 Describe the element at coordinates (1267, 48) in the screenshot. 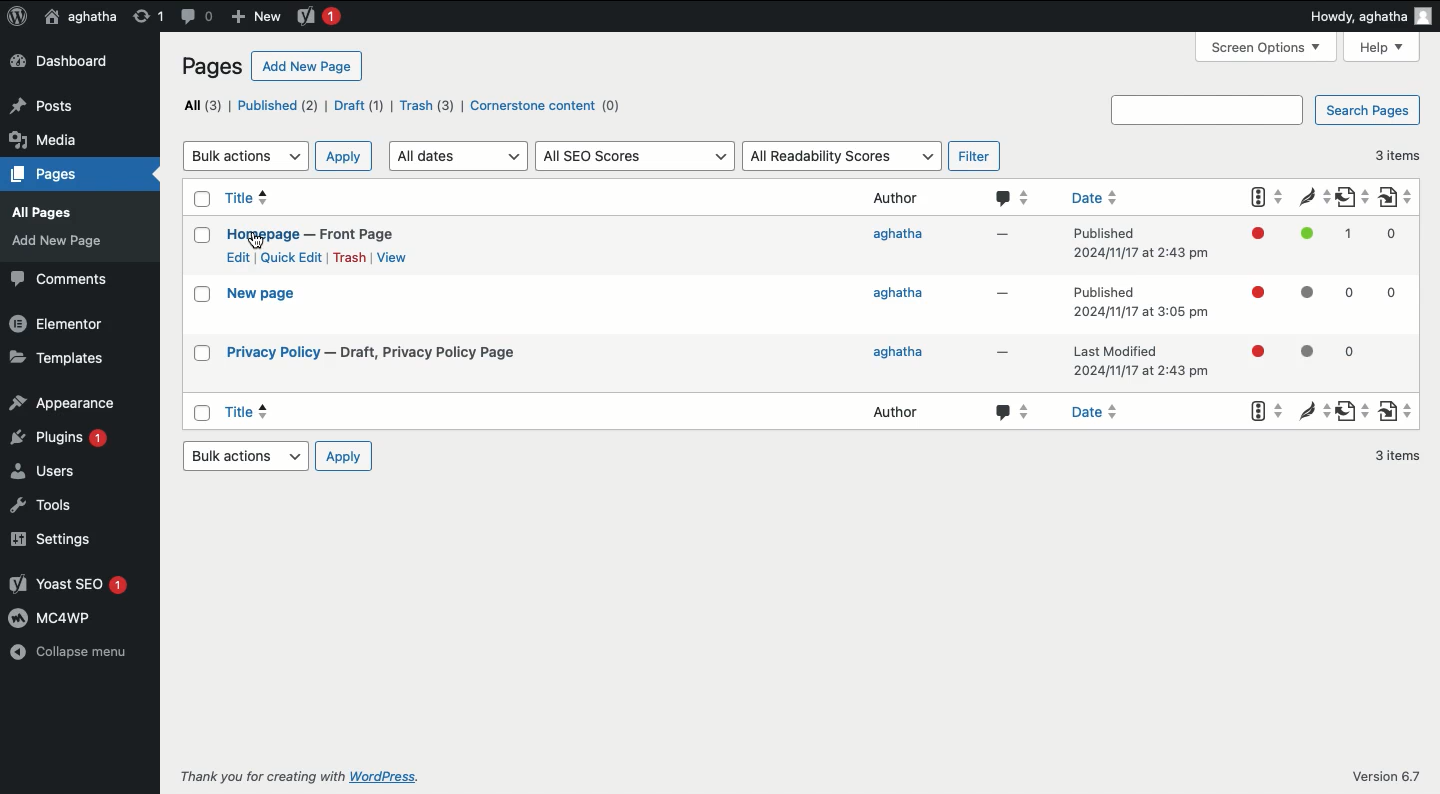

I see `Screen options` at that location.